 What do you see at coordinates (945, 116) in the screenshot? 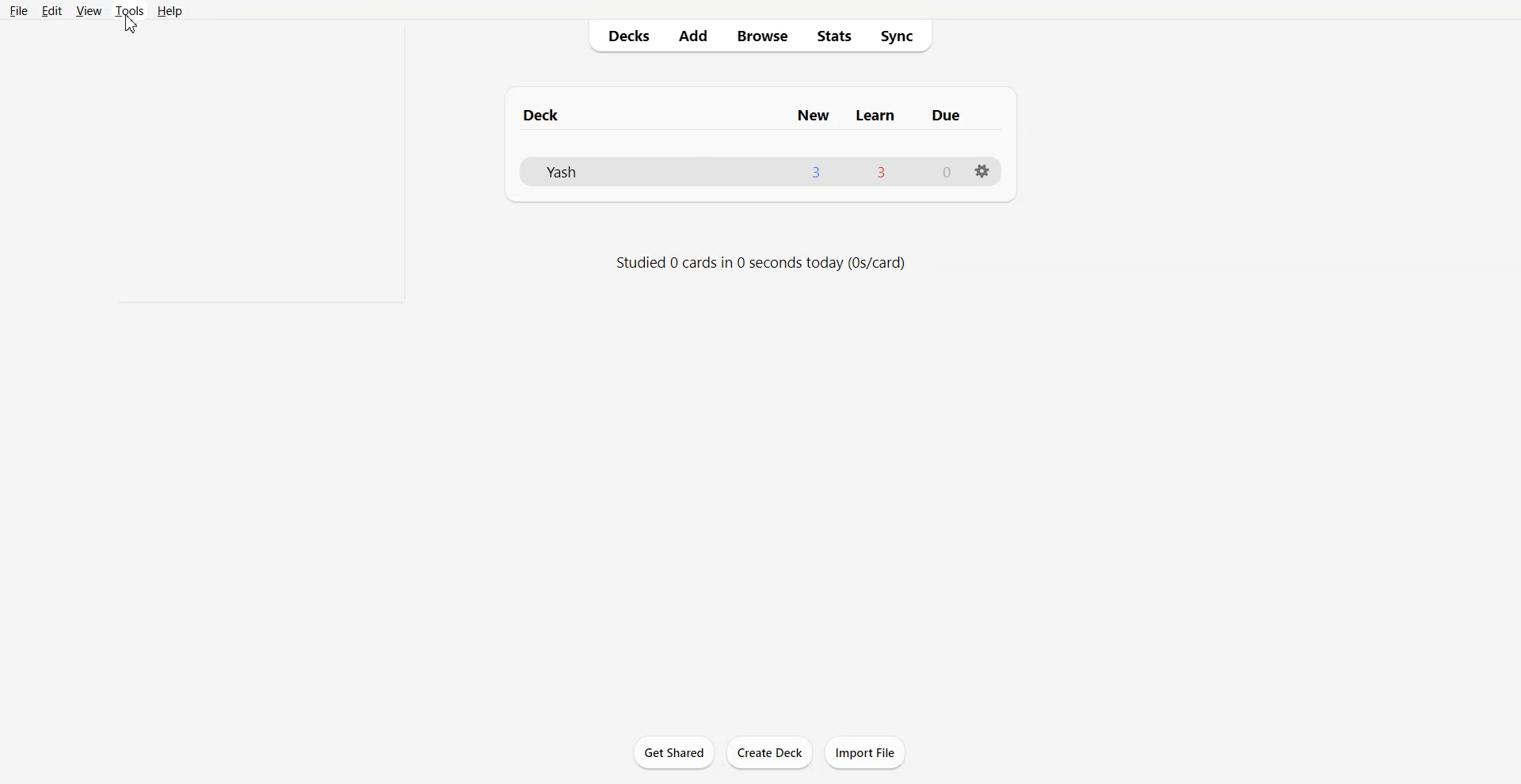
I see `due` at bounding box center [945, 116].